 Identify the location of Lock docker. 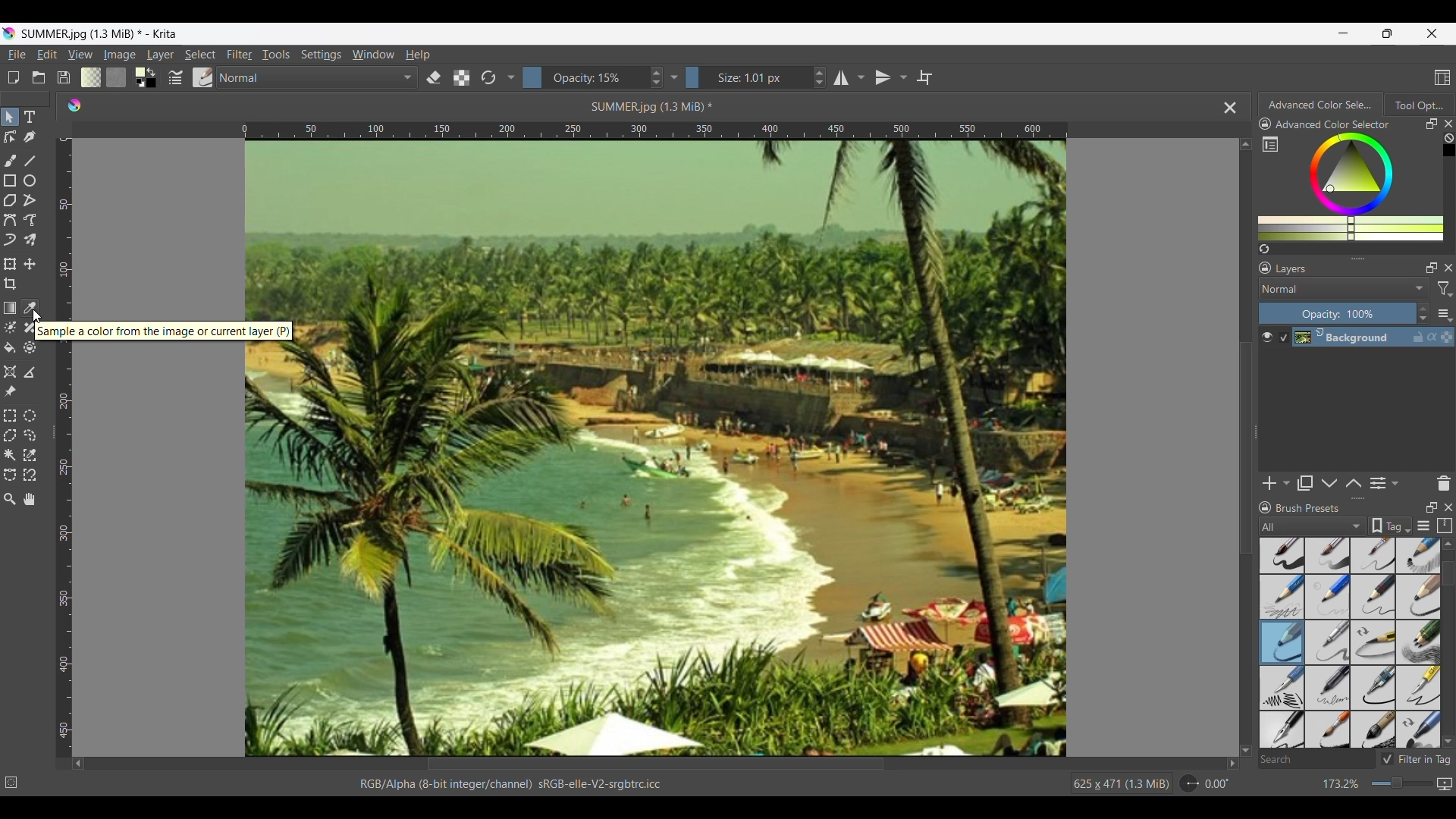
(1264, 268).